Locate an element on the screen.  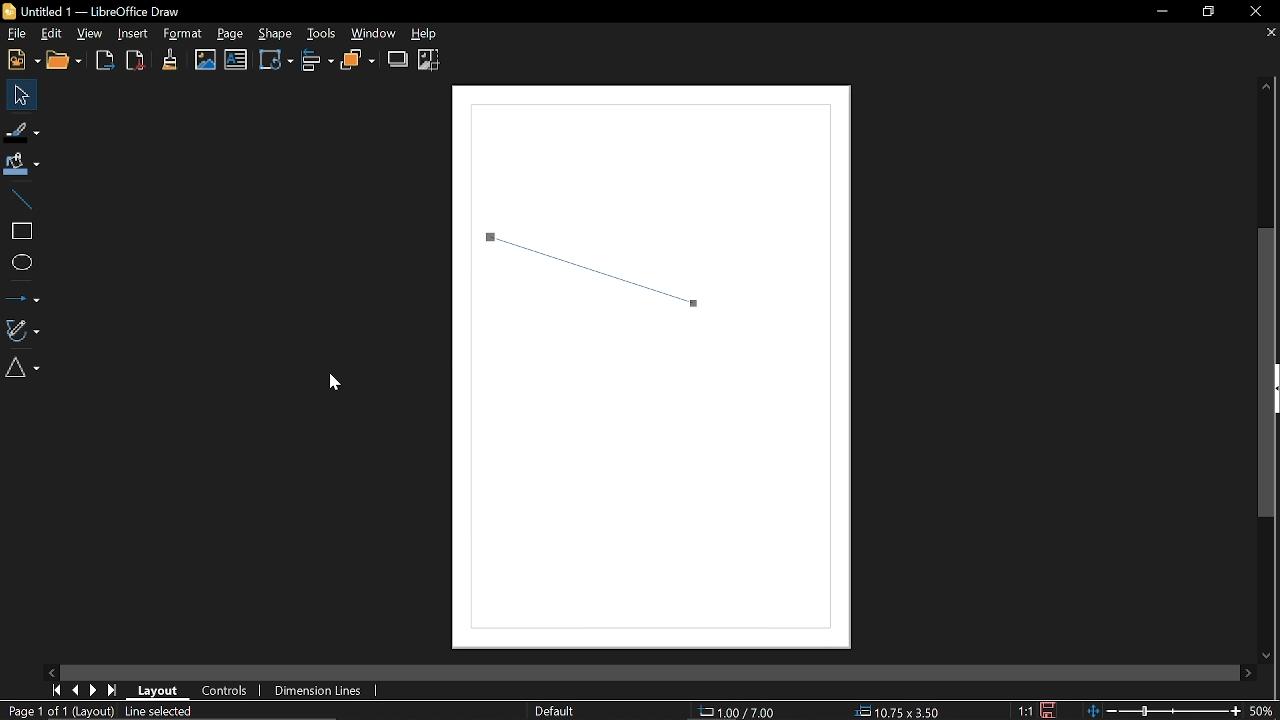
Current diagram is located at coordinates (258, 712).